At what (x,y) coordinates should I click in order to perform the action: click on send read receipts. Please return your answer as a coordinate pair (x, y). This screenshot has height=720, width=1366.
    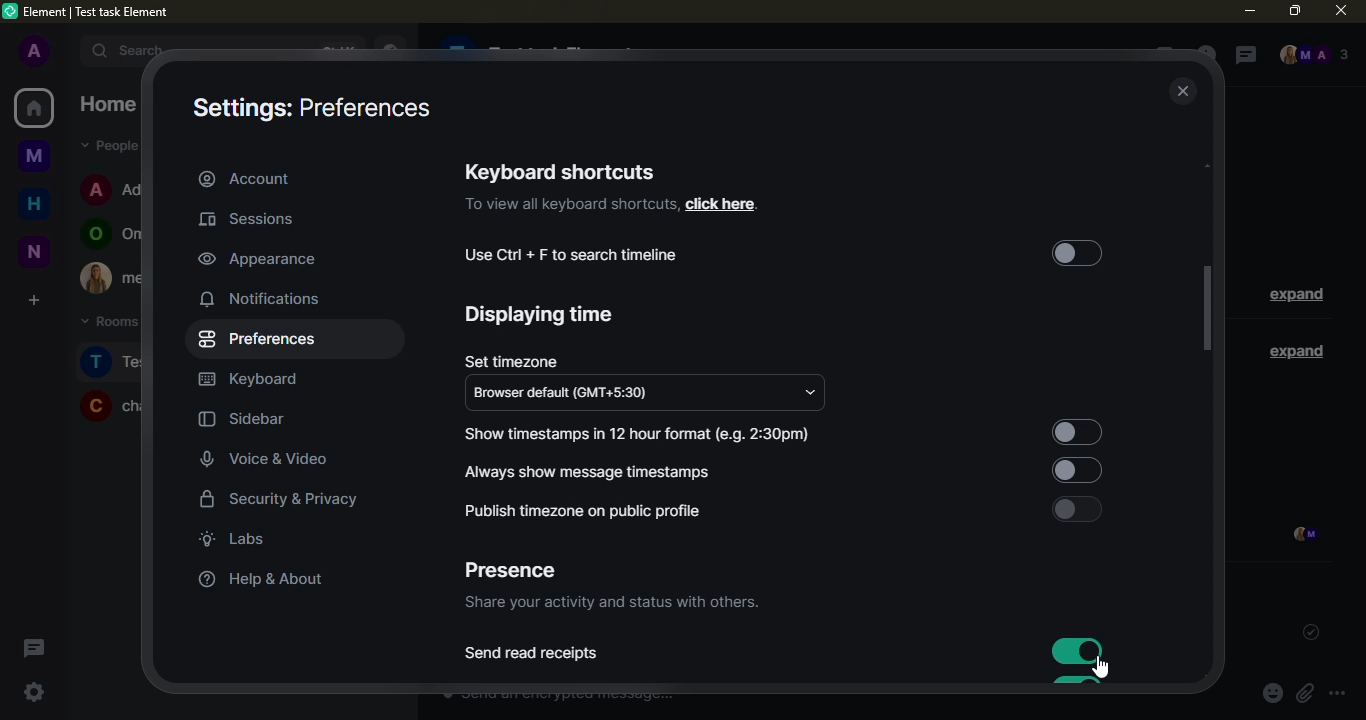
    Looking at the image, I should click on (533, 654).